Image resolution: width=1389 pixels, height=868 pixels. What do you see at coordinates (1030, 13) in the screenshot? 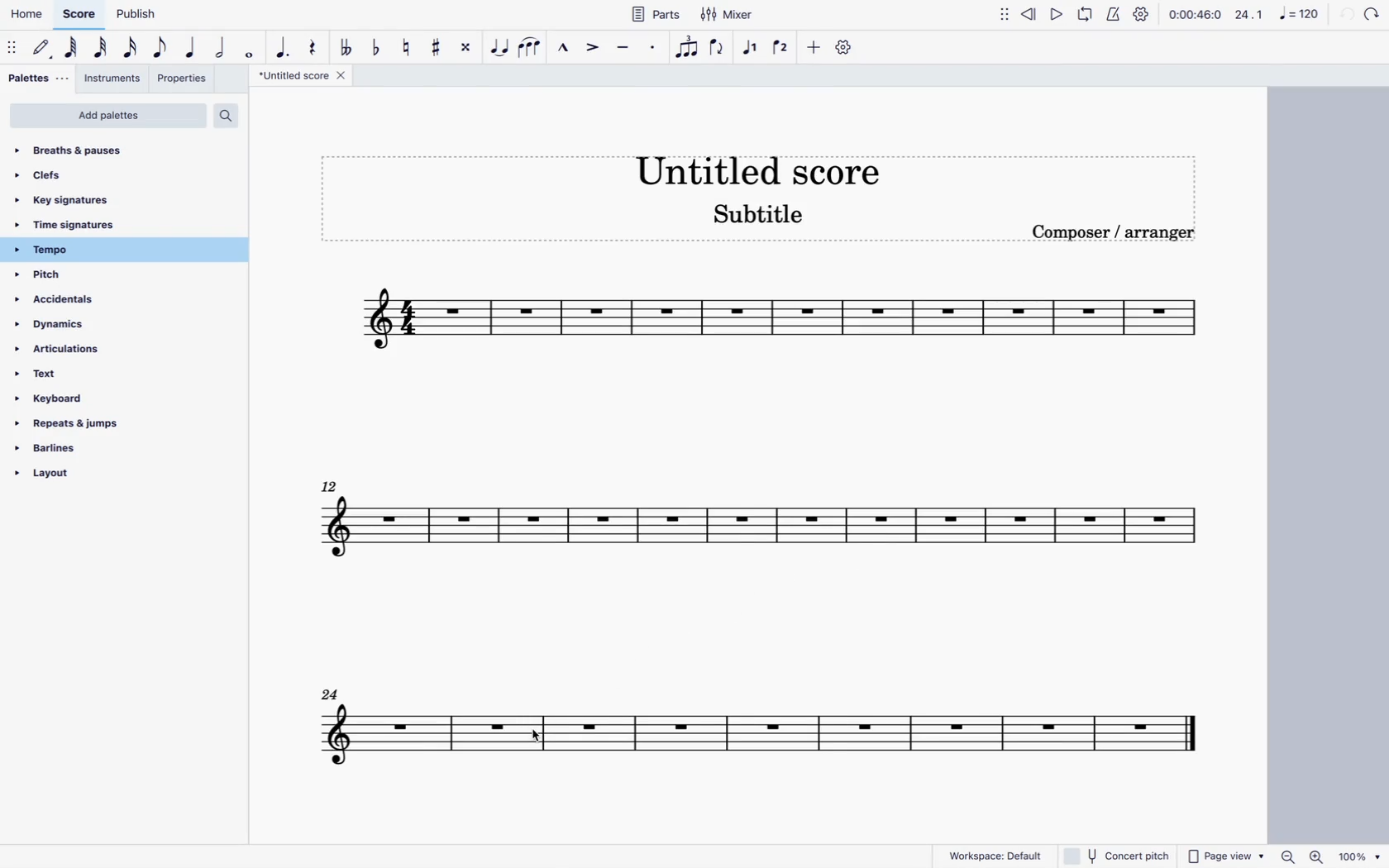
I see `rewind` at bounding box center [1030, 13].